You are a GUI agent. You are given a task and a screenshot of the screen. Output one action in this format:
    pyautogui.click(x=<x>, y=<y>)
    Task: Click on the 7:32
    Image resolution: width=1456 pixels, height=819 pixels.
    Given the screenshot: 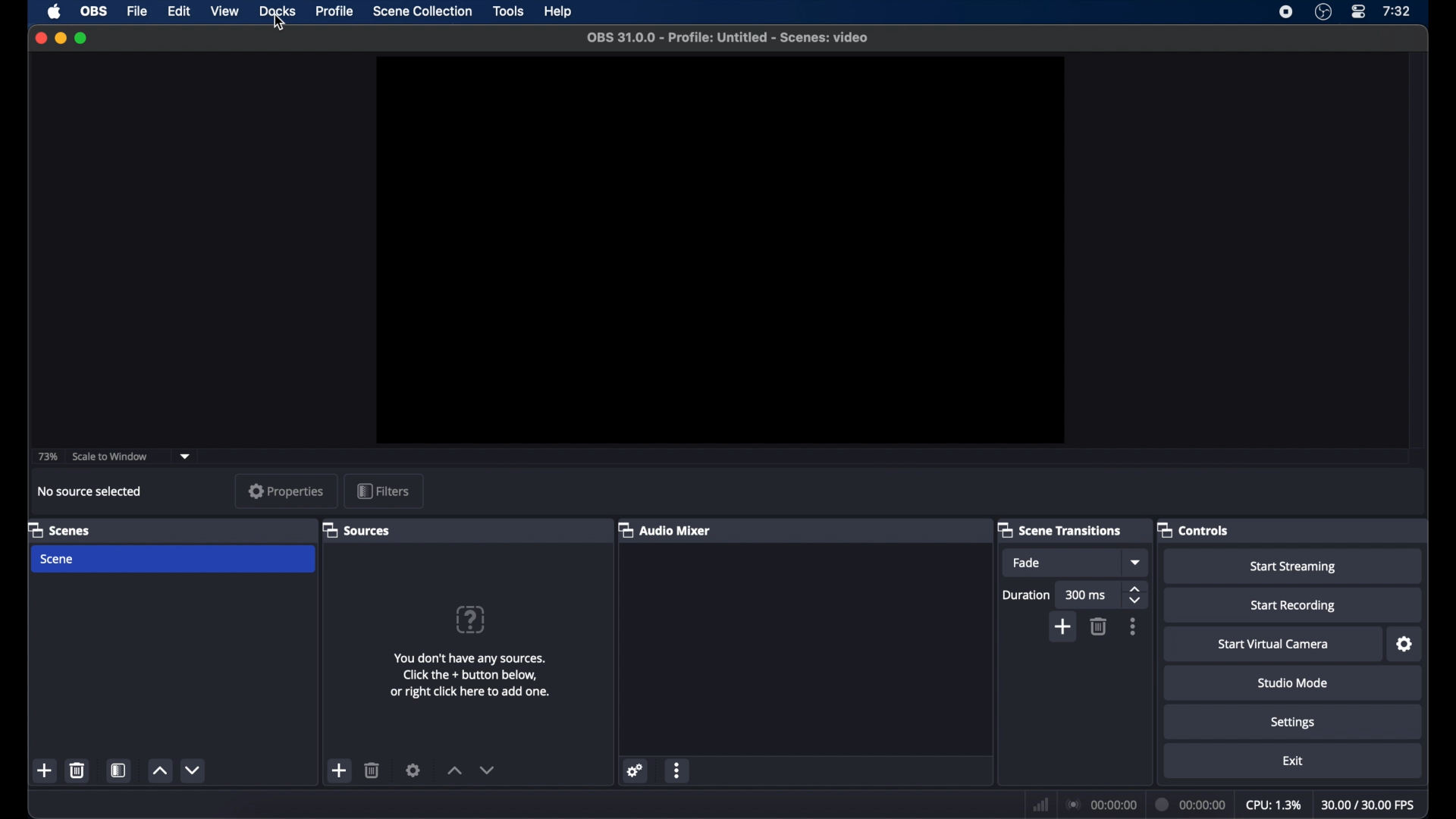 What is the action you would take?
    pyautogui.click(x=1397, y=11)
    